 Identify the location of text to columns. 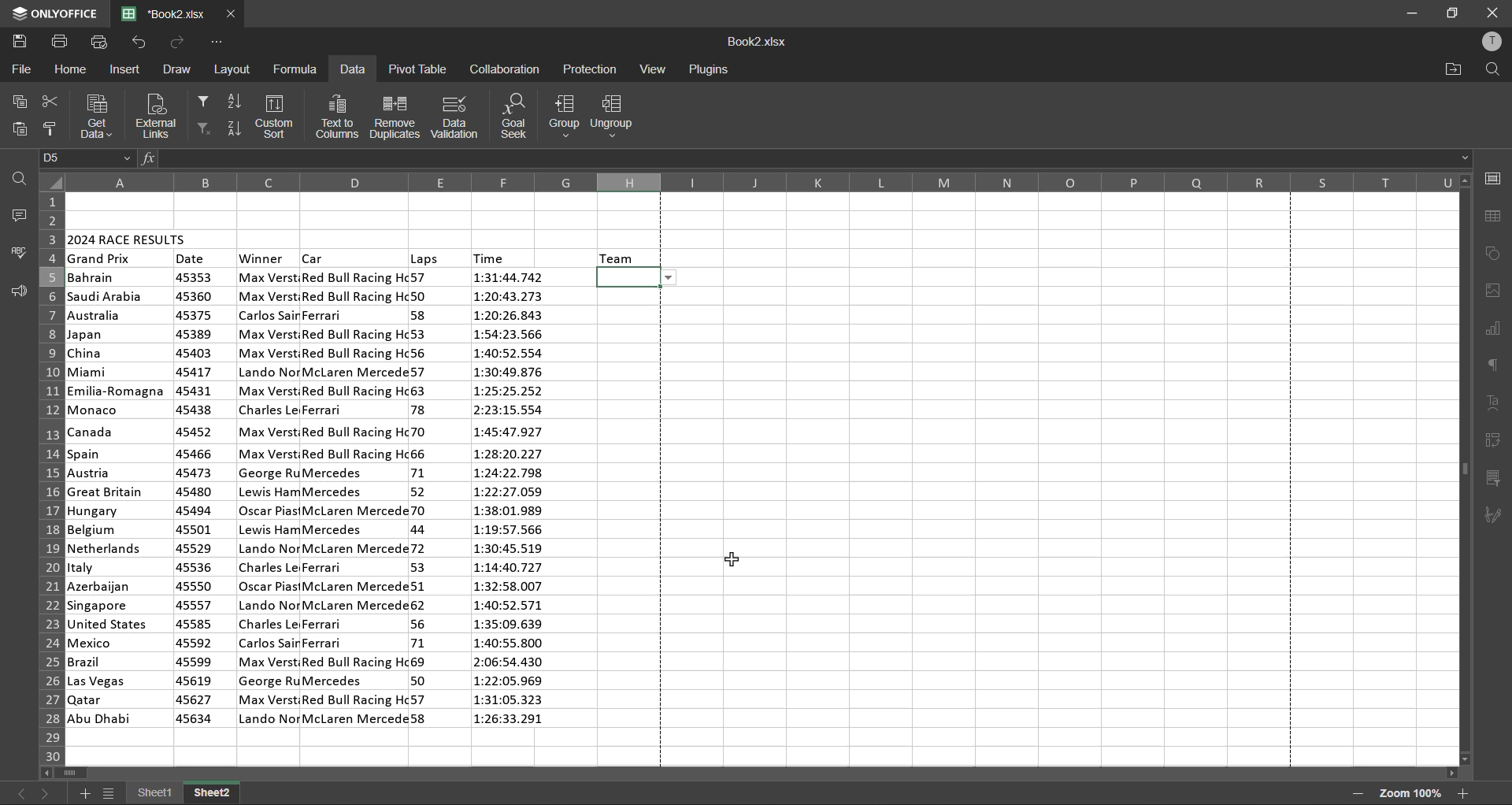
(339, 117).